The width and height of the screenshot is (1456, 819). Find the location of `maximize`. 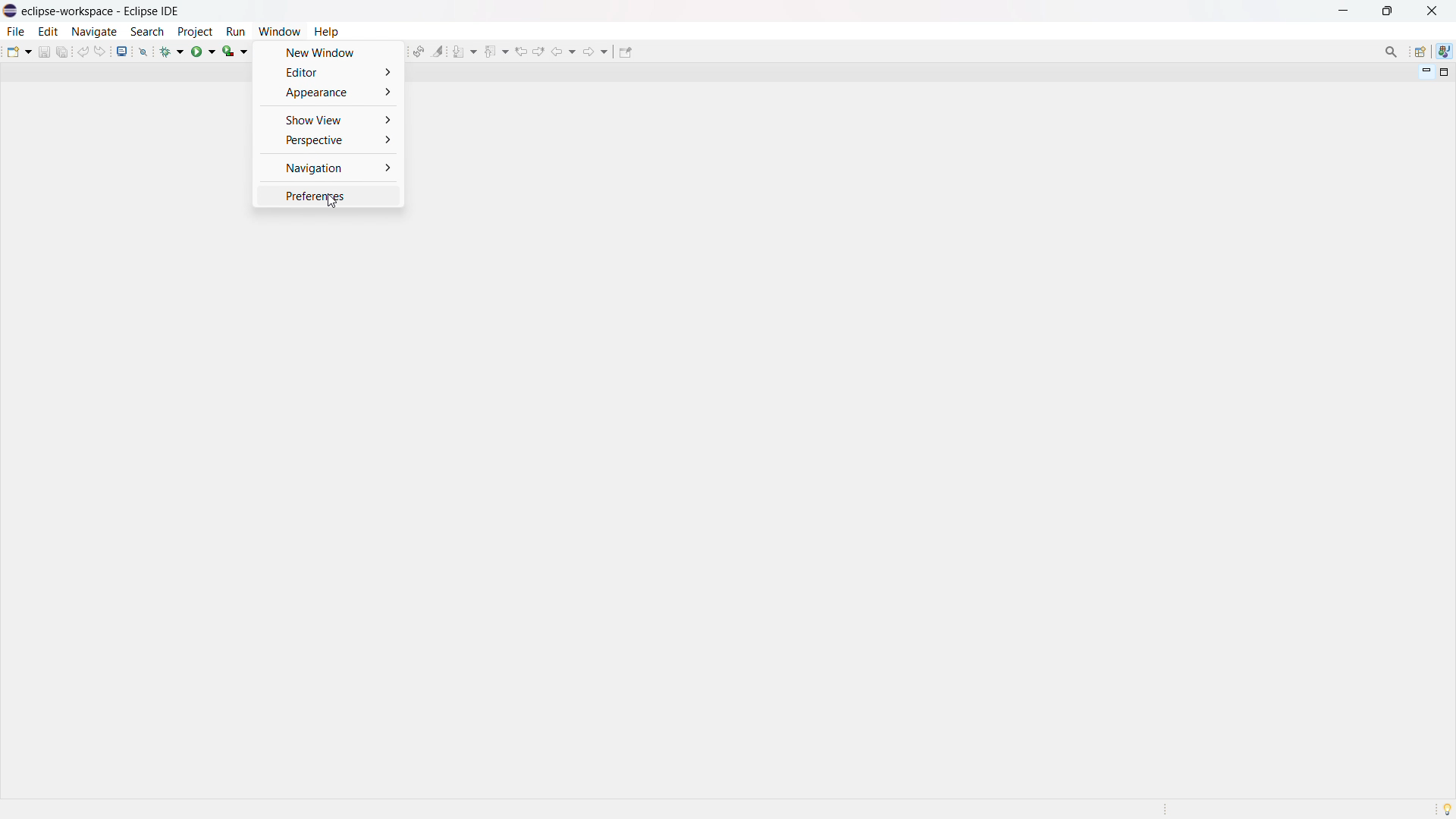

maximize is located at coordinates (1387, 11).